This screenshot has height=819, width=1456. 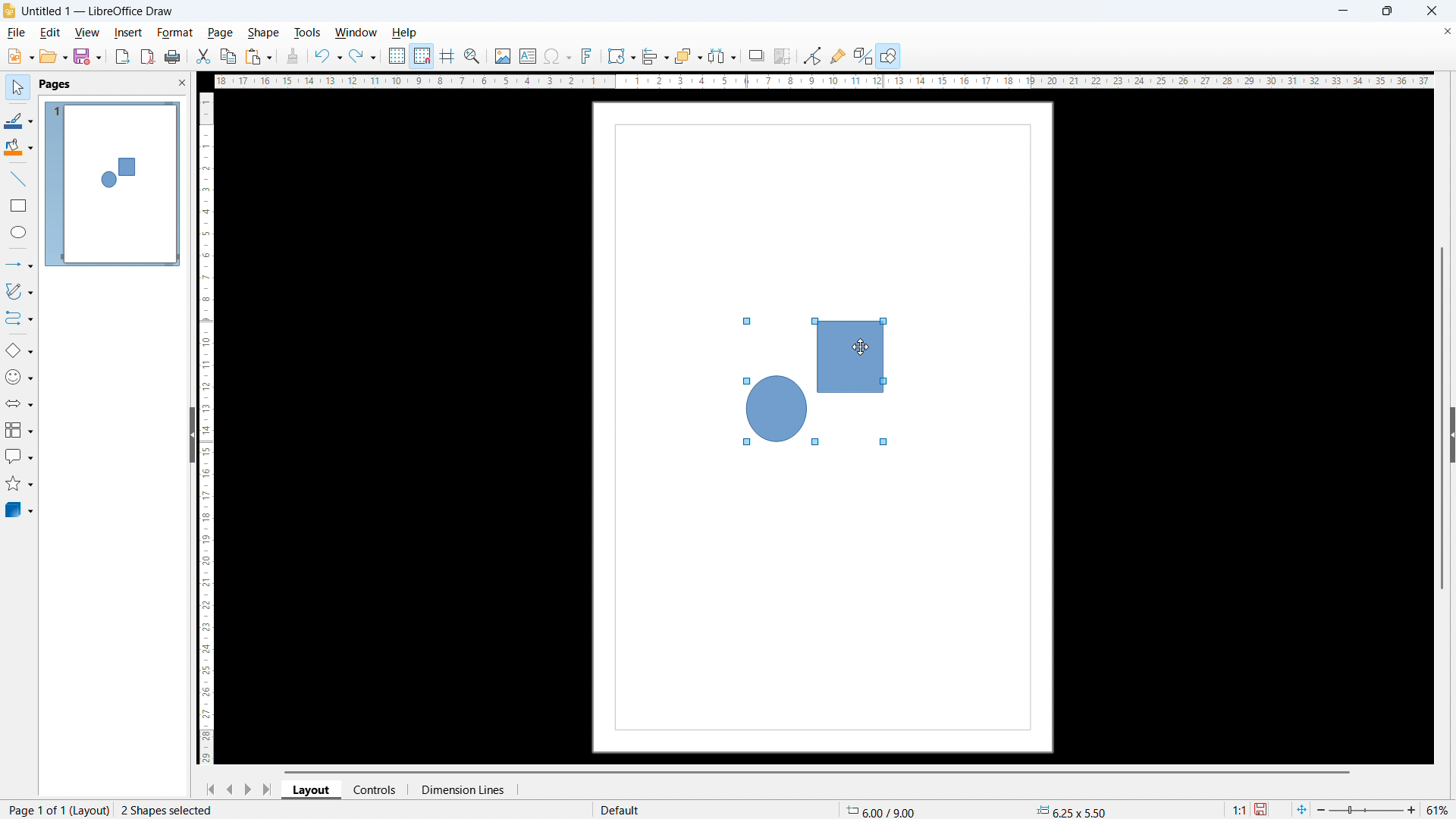 I want to click on background color, so click(x=20, y=148).